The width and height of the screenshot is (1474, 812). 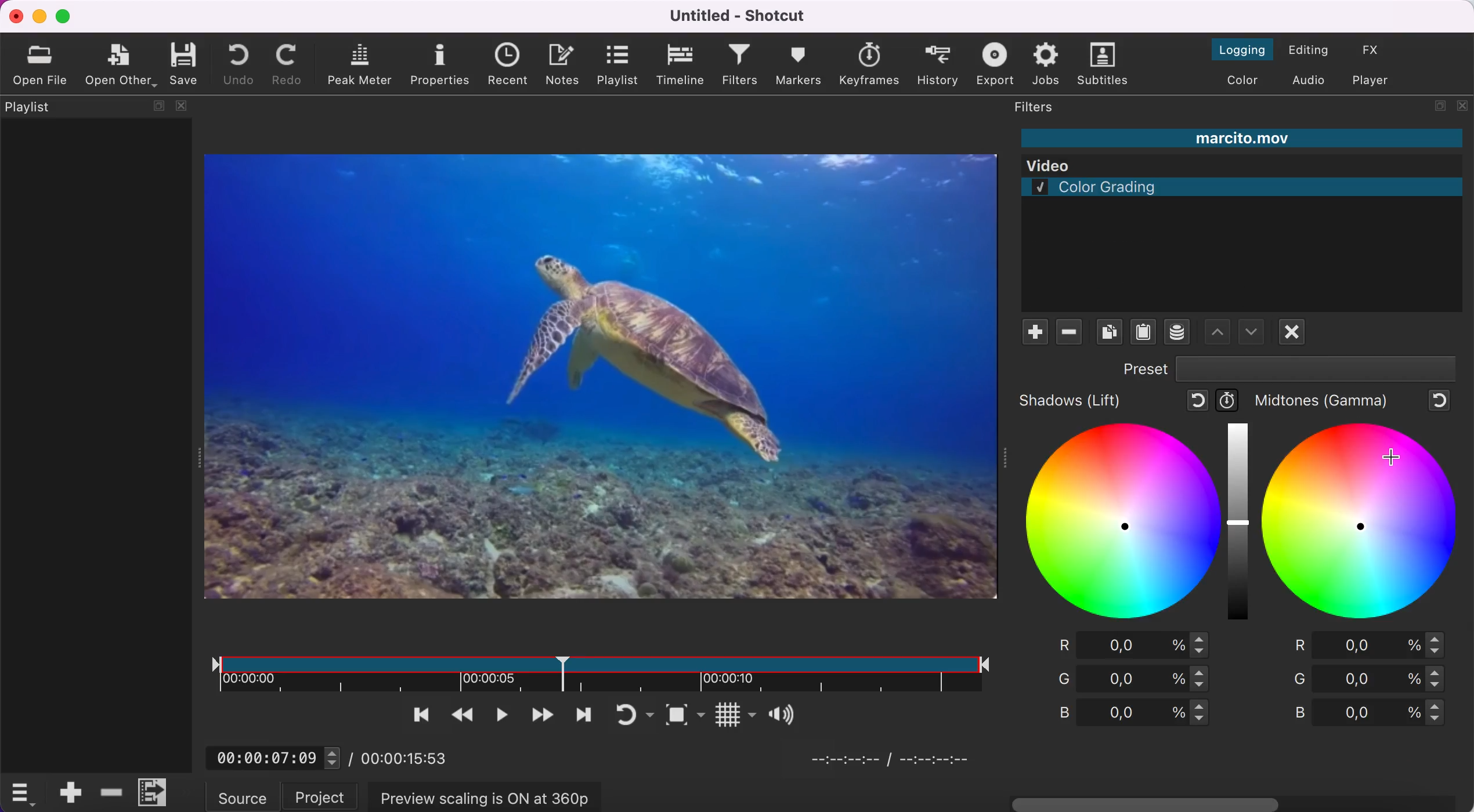 What do you see at coordinates (1050, 165) in the screenshot?
I see `Video` at bounding box center [1050, 165].